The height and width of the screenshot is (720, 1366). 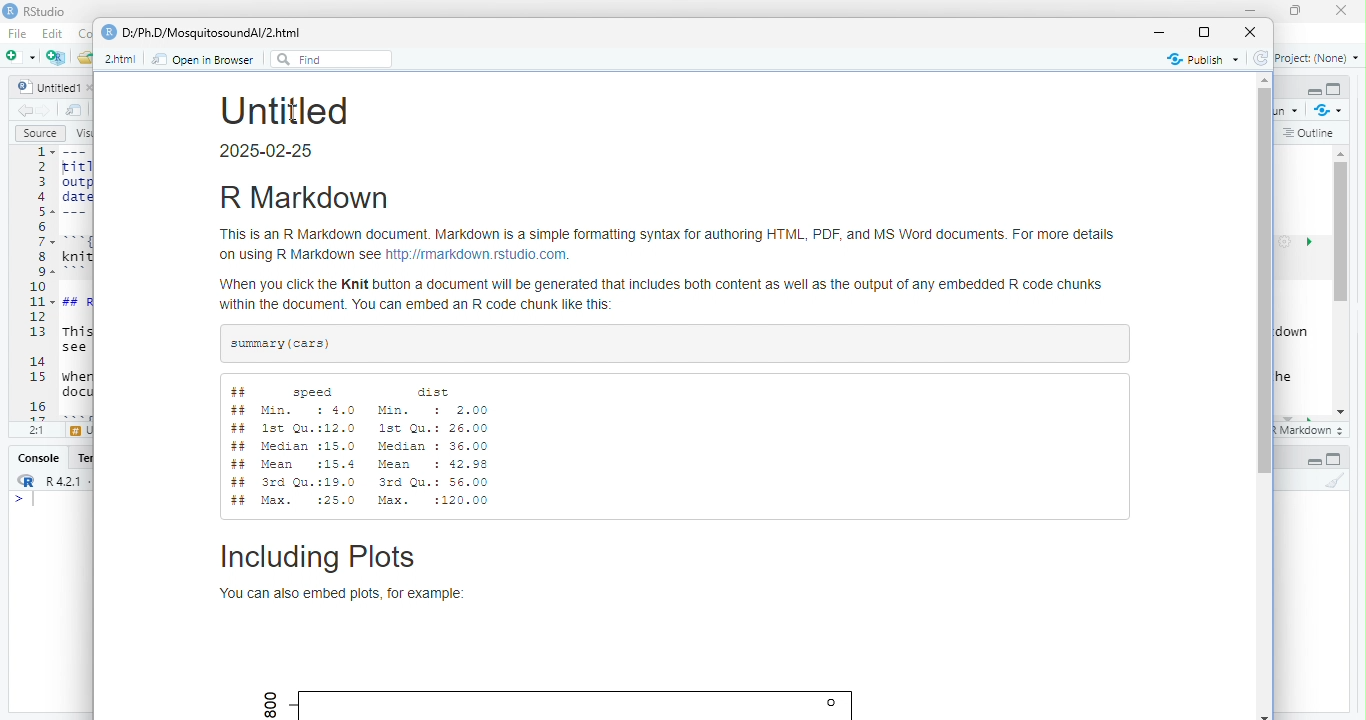 What do you see at coordinates (46, 11) in the screenshot?
I see `RStudio` at bounding box center [46, 11].